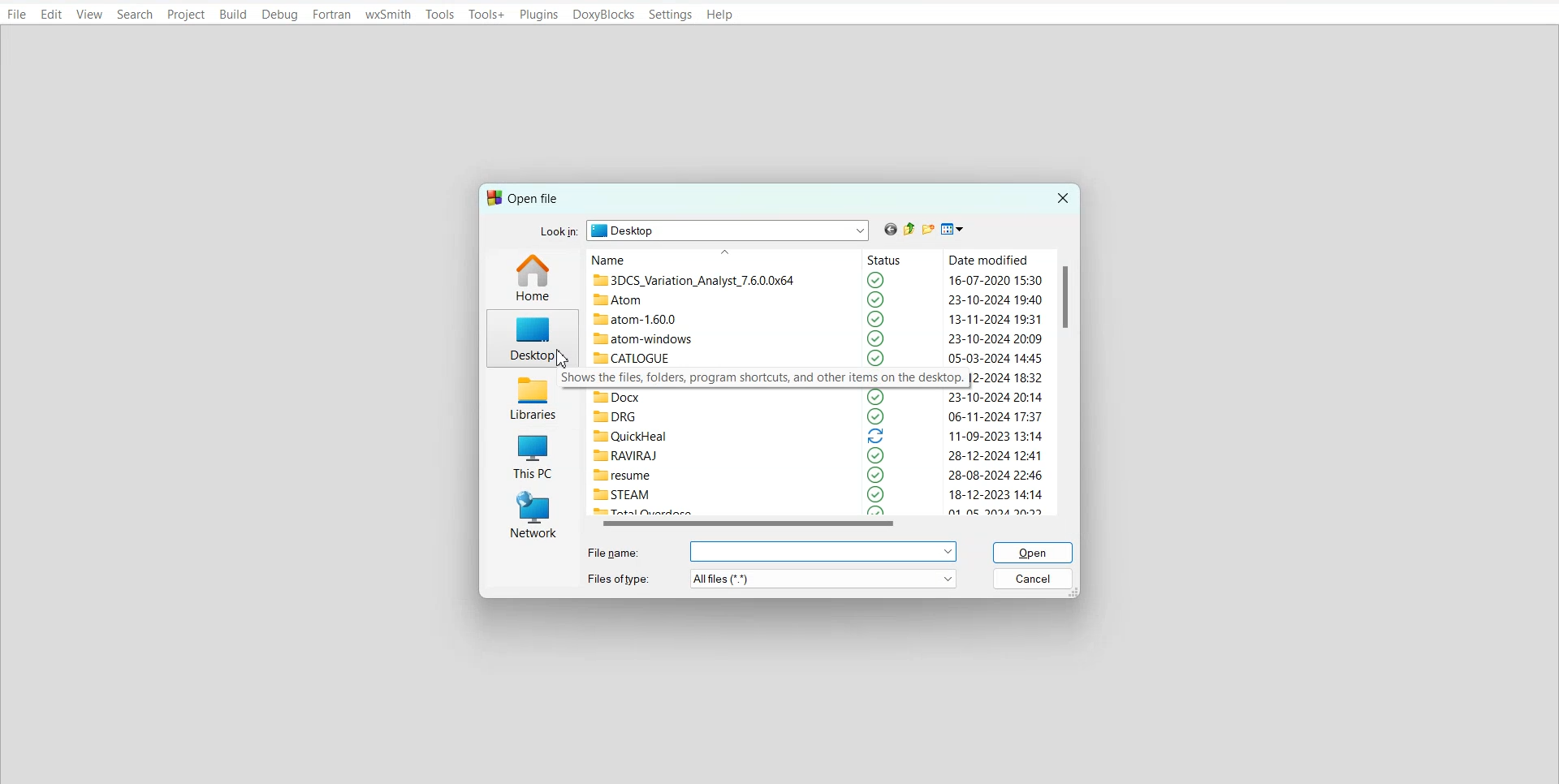 The image size is (1559, 784). Describe the element at coordinates (696, 280) in the screenshot. I see `3DCS_Variation_Analyst_7.6.0.0x64` at that location.